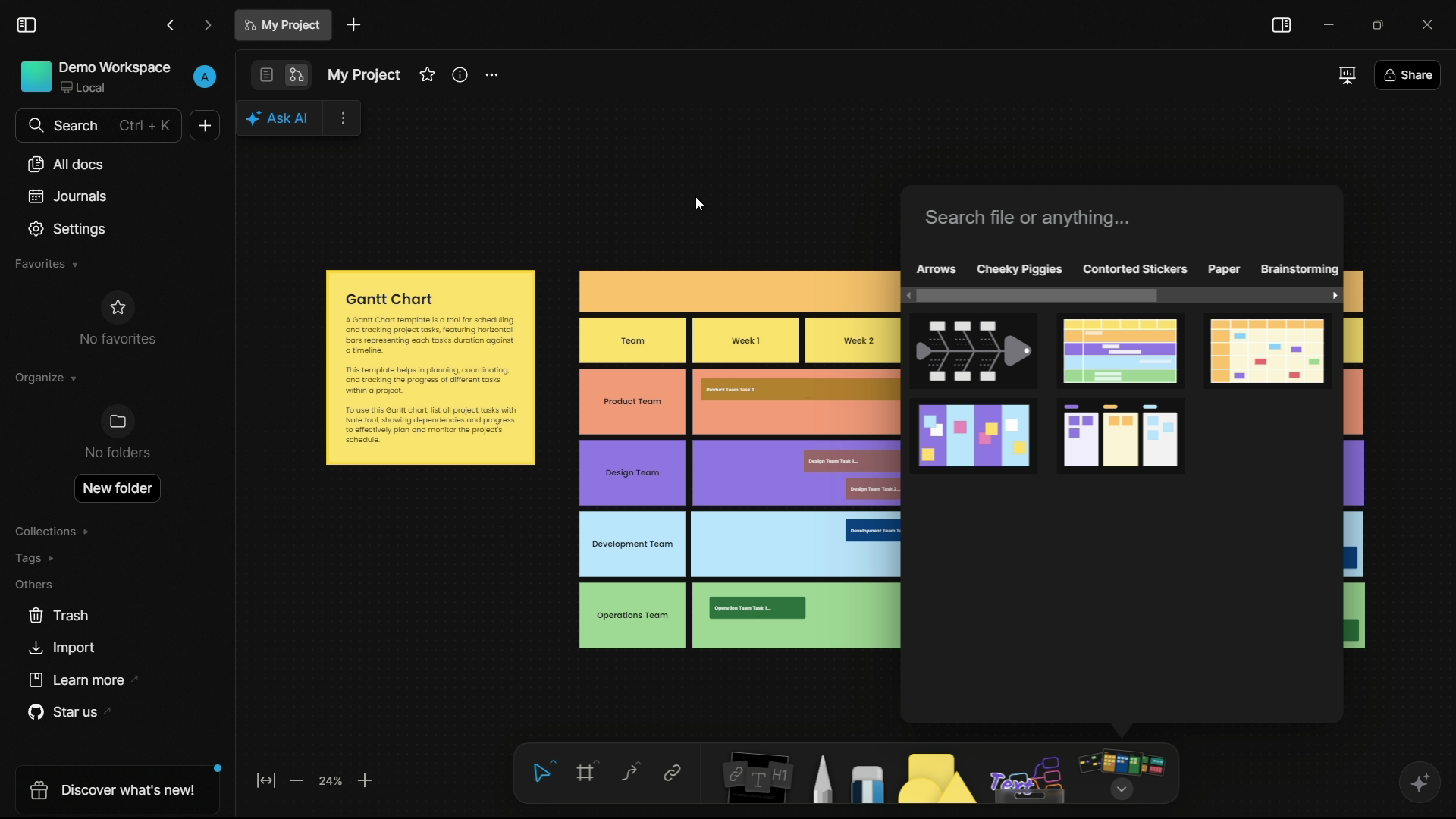 This screenshot has height=819, width=1456. Describe the element at coordinates (117, 435) in the screenshot. I see `no folders` at that location.